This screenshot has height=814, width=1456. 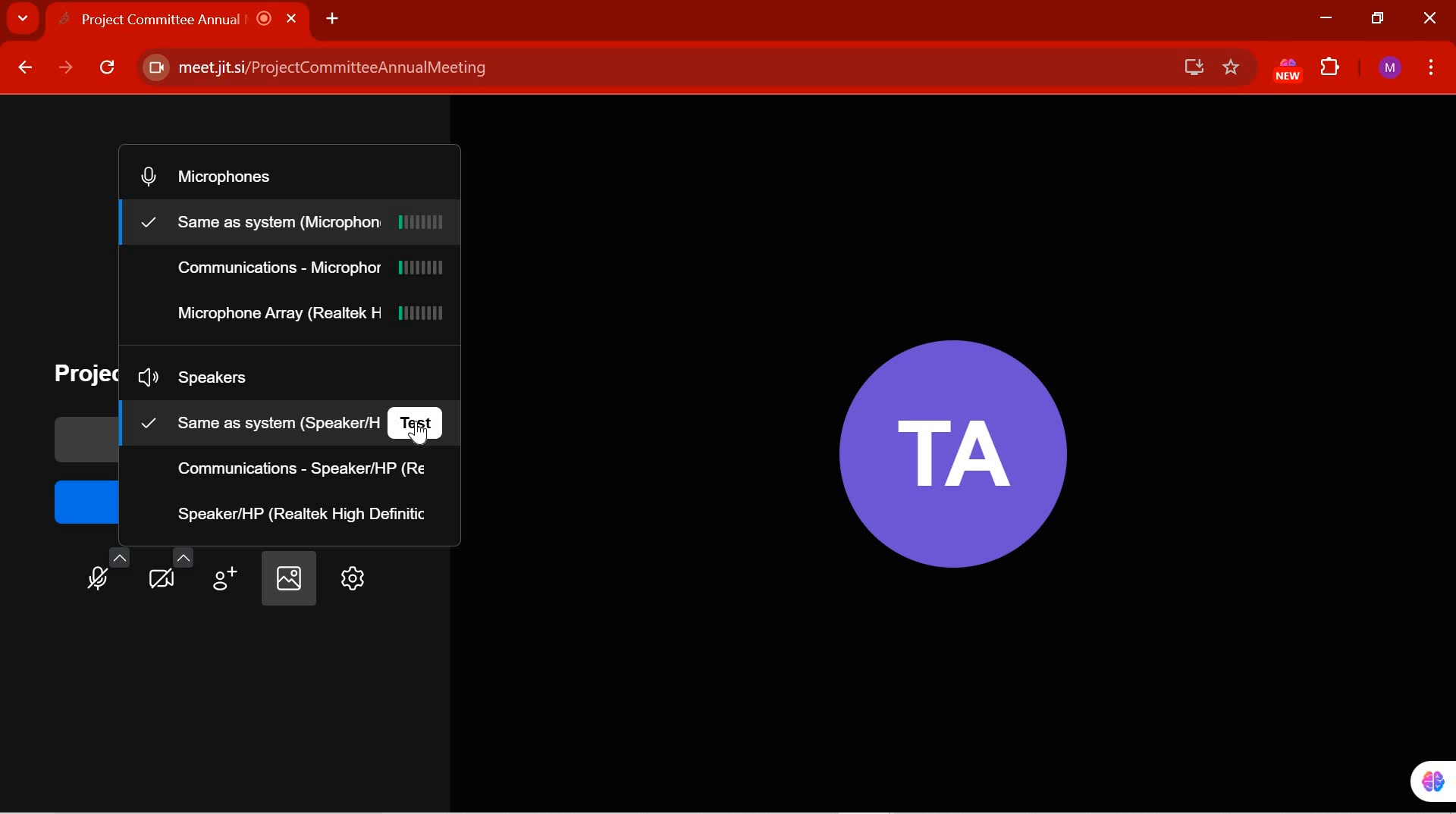 I want to click on Camera enabled, so click(x=154, y=68).